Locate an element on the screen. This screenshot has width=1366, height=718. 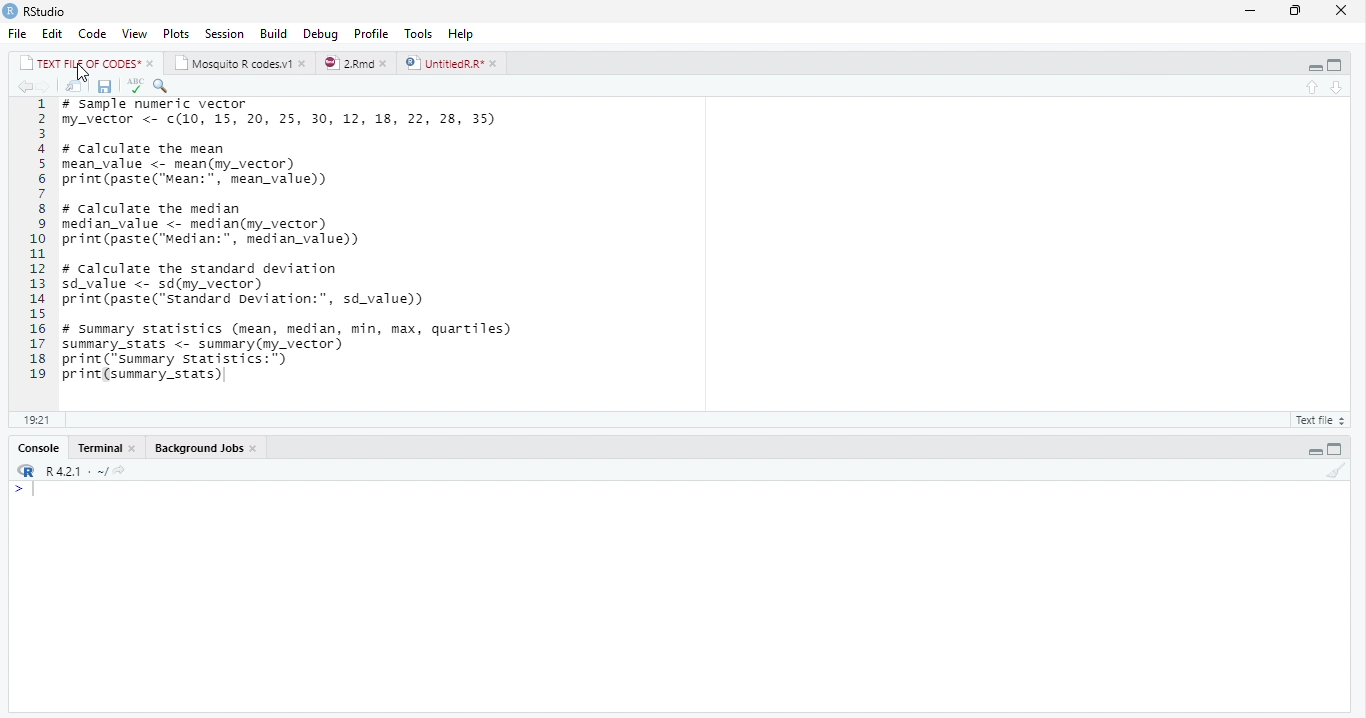
close is located at coordinates (1346, 10).